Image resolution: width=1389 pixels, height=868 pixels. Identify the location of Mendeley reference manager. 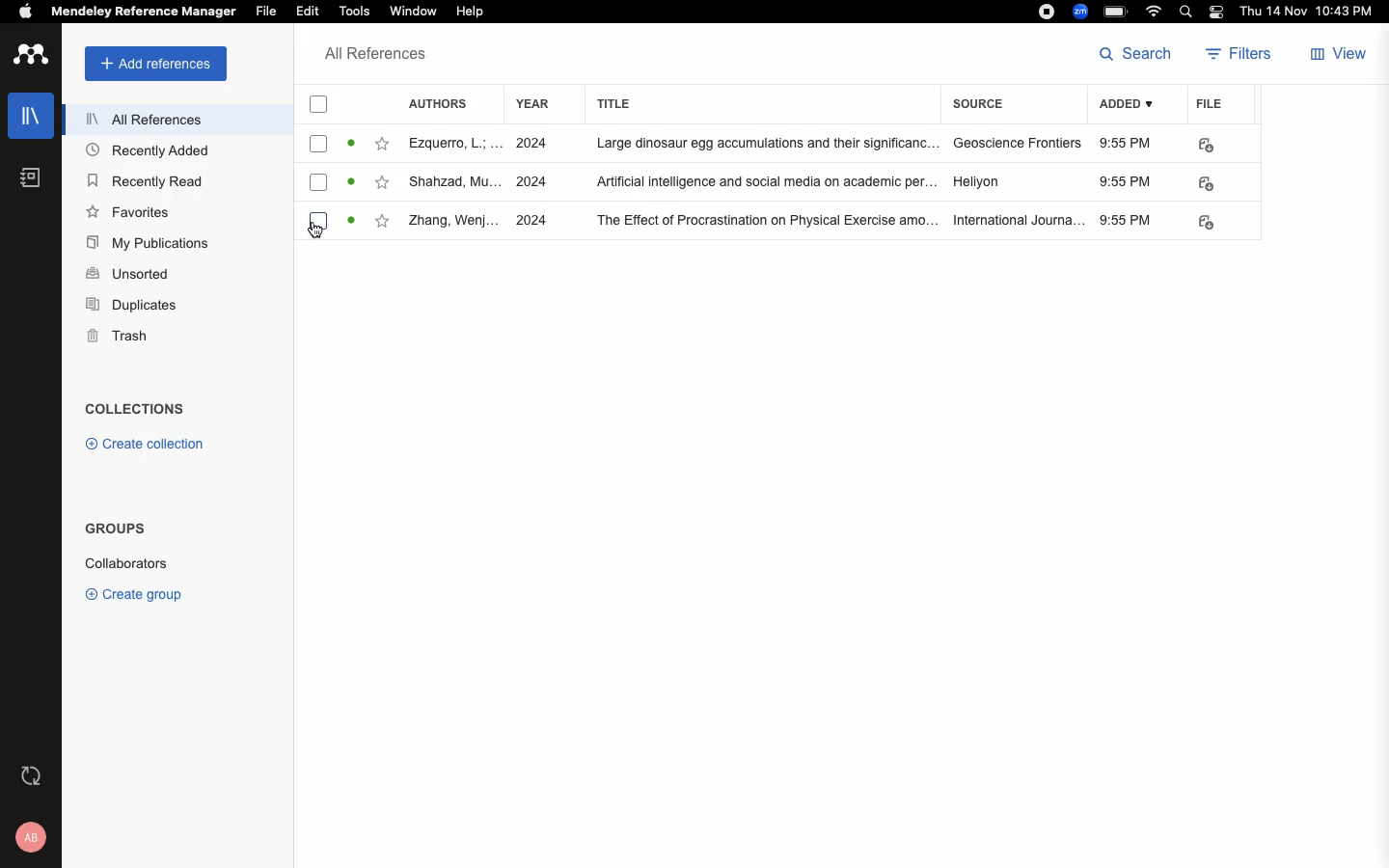
(141, 12).